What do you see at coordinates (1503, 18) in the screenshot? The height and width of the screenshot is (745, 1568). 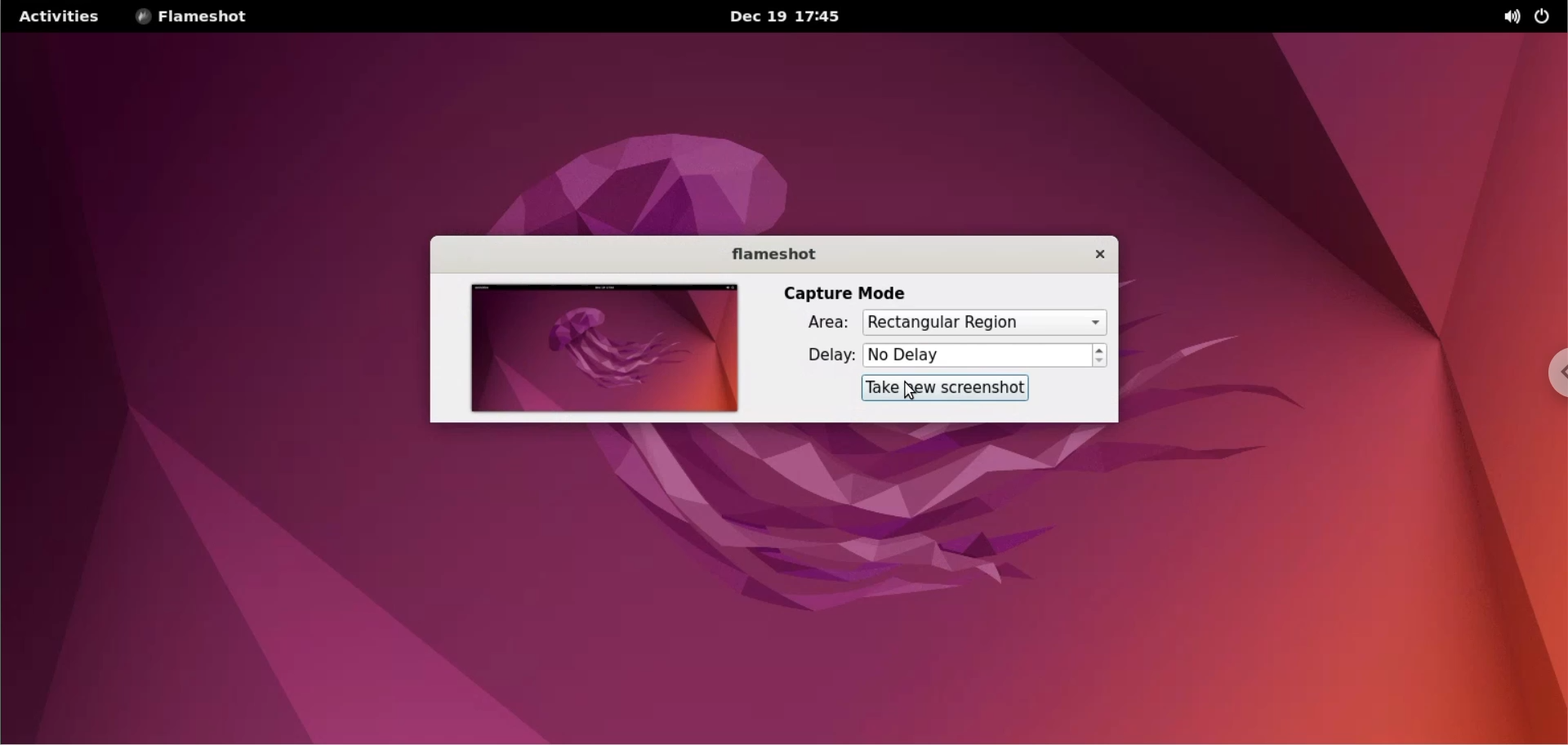 I see `sound options menu` at bounding box center [1503, 18].